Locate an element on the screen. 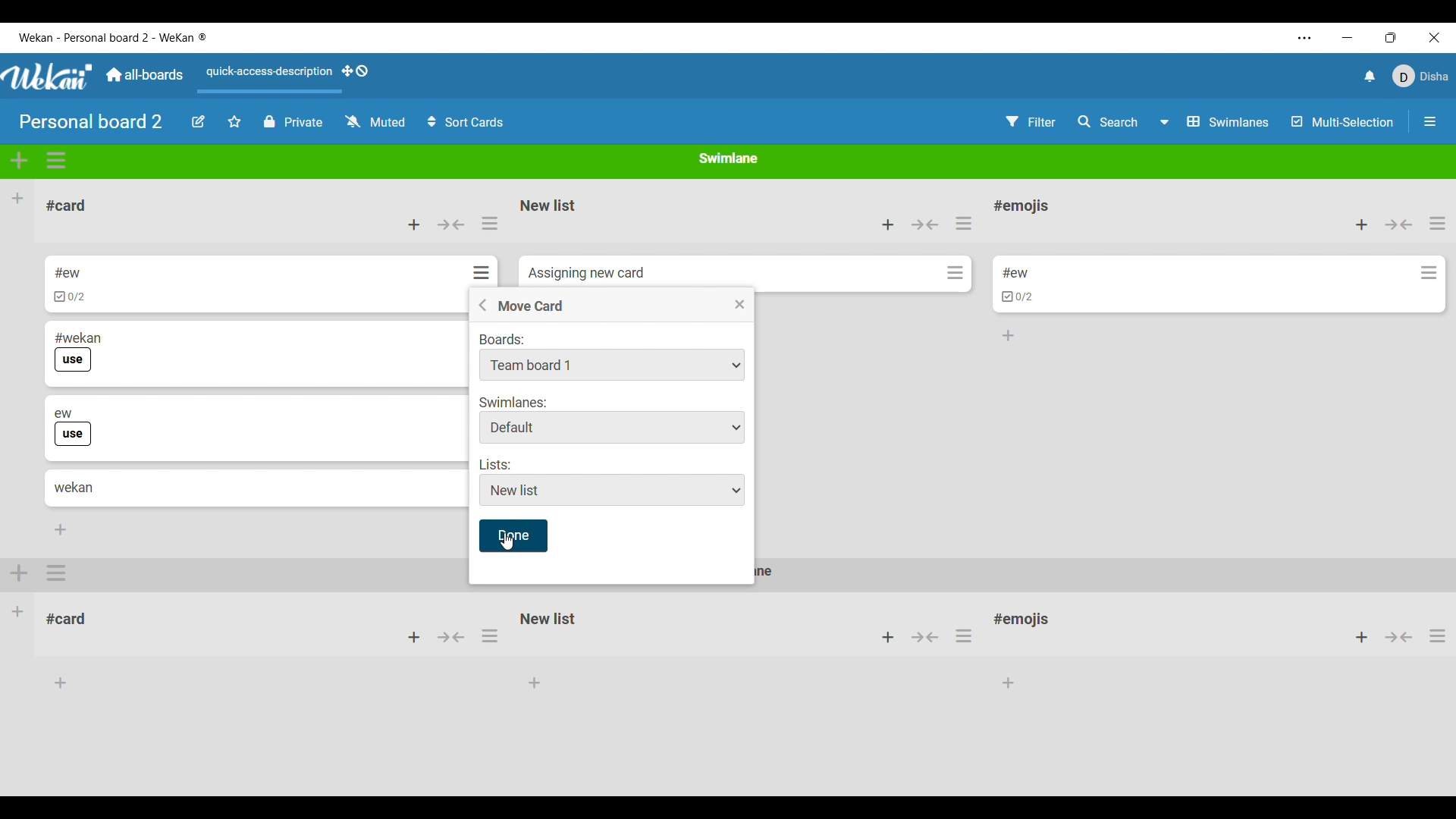  options is located at coordinates (58, 573).